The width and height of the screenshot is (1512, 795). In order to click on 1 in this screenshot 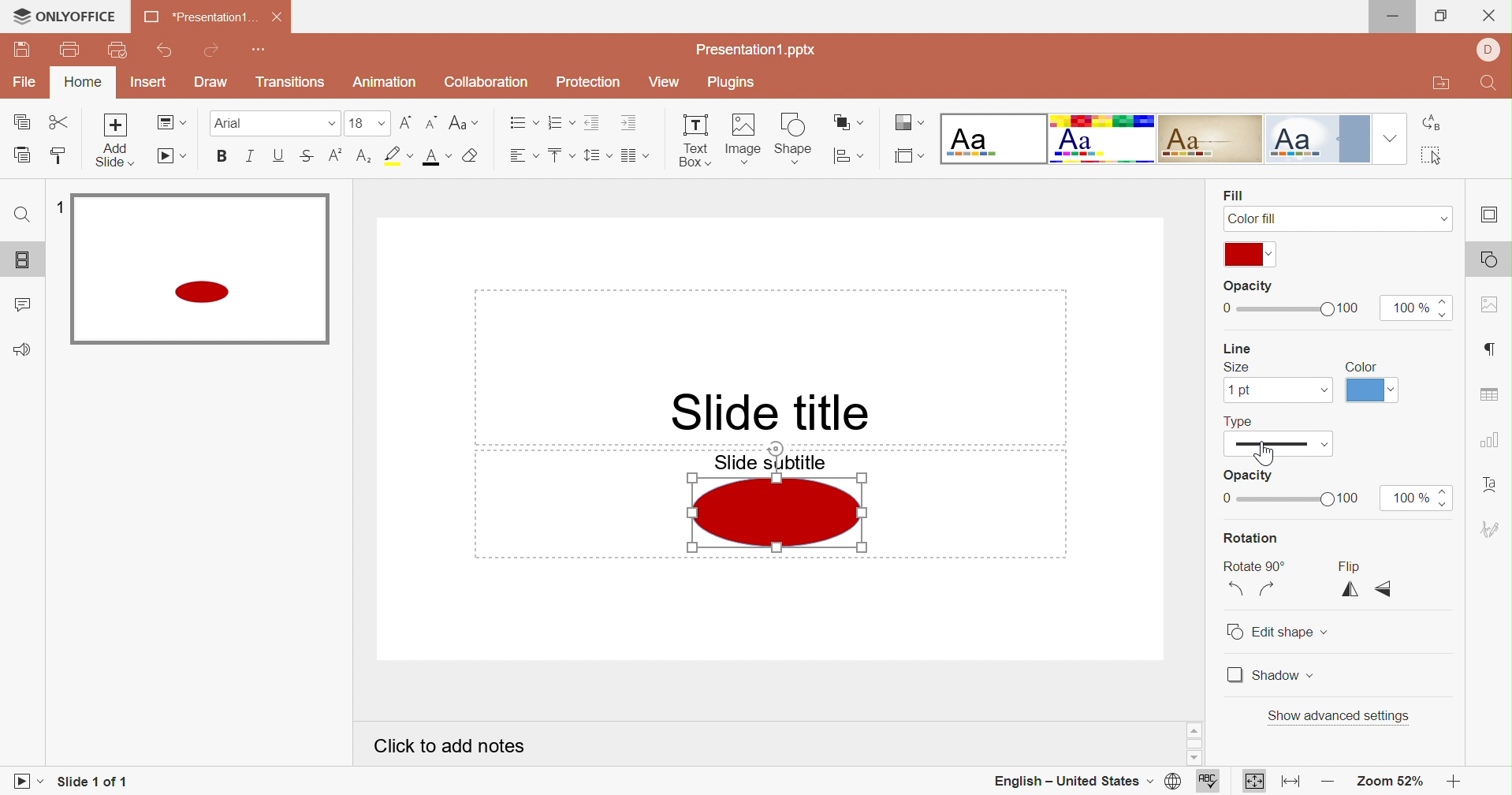, I will do `click(61, 208)`.